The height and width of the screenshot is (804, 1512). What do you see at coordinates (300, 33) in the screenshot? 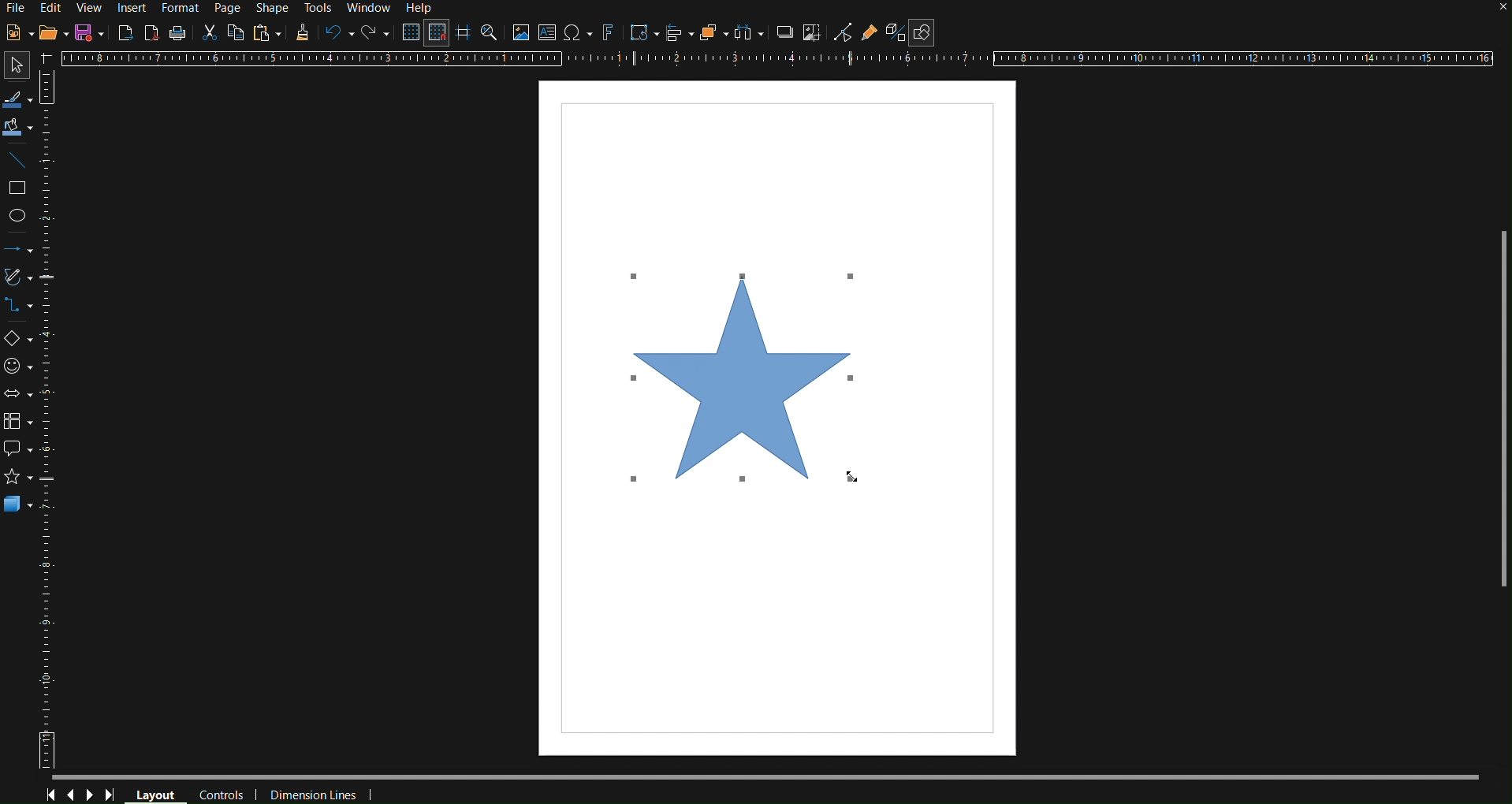
I see `Formatting` at bounding box center [300, 33].